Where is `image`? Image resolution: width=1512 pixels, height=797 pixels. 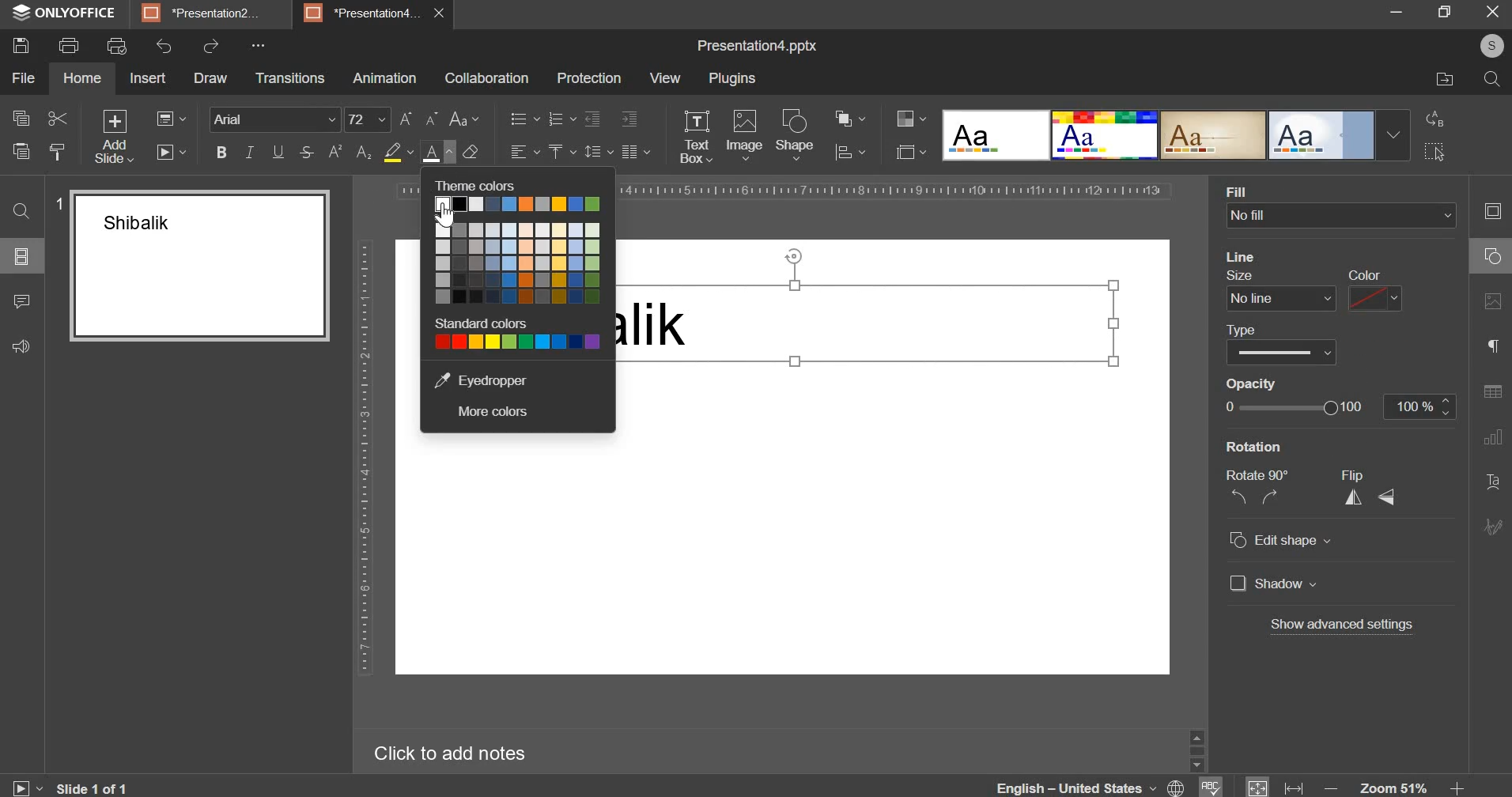
image is located at coordinates (744, 135).